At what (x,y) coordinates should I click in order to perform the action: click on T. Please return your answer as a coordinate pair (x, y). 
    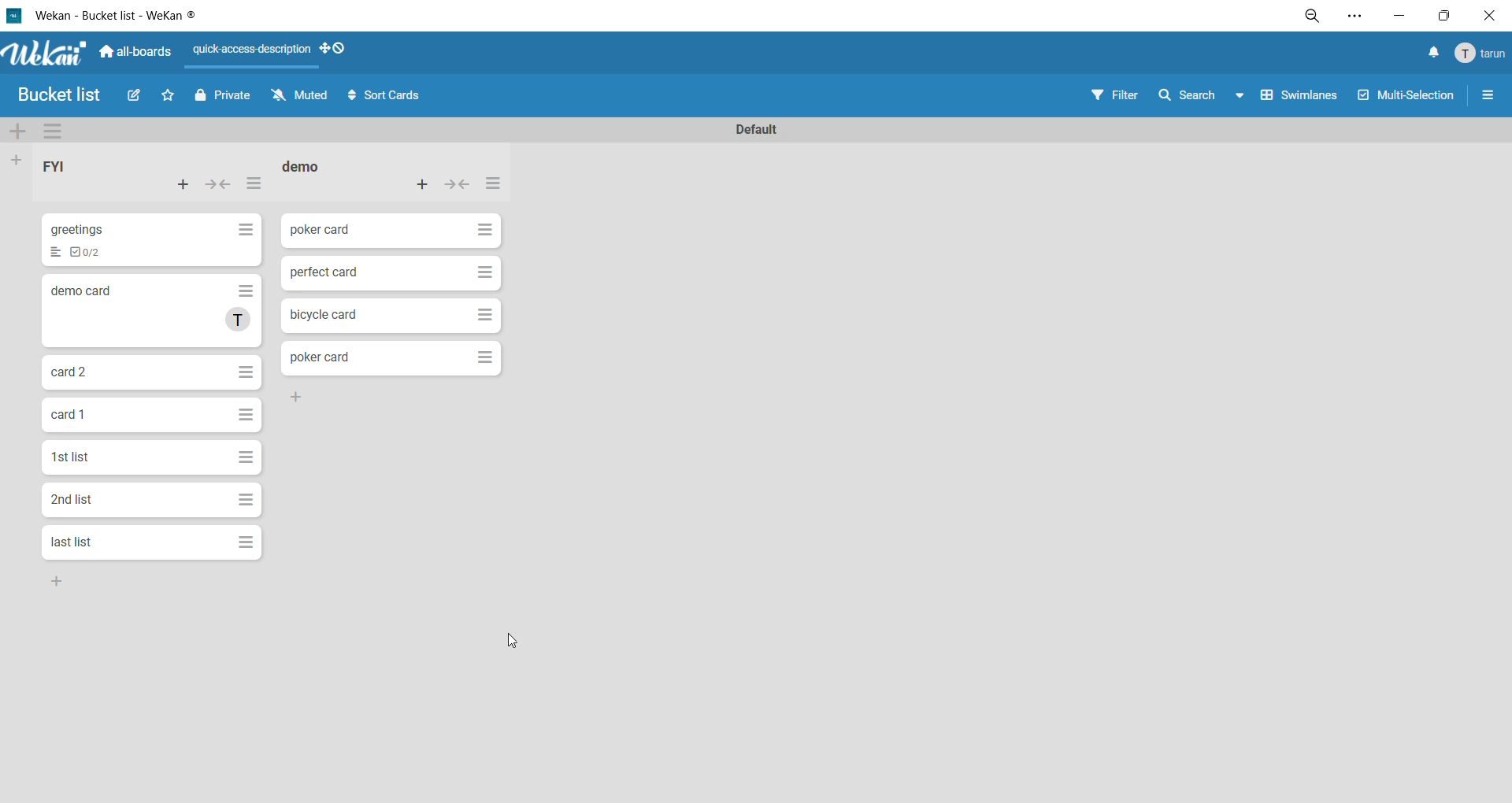
    Looking at the image, I should click on (239, 321).